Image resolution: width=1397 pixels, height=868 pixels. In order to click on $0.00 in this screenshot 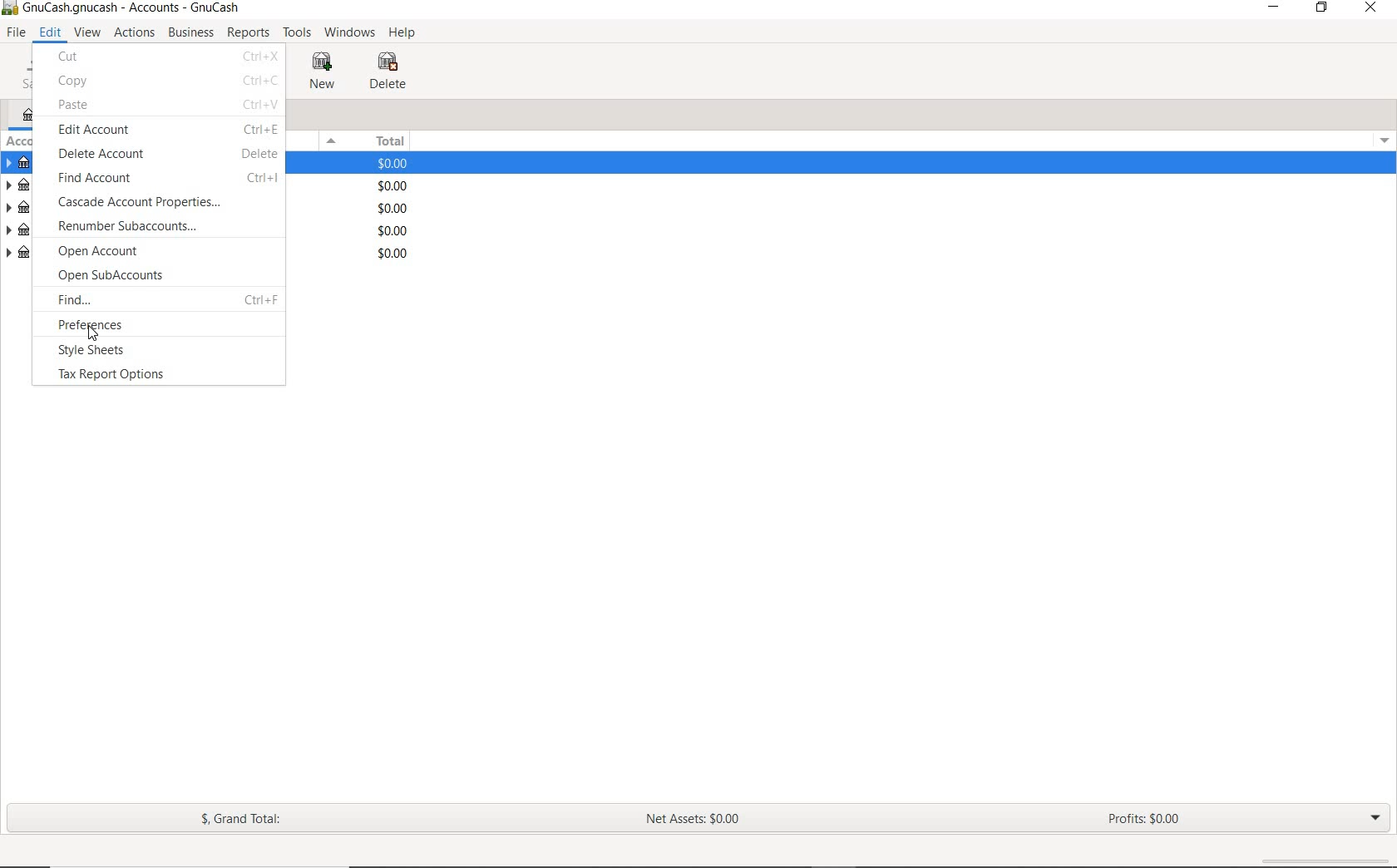, I will do `click(396, 212)`.